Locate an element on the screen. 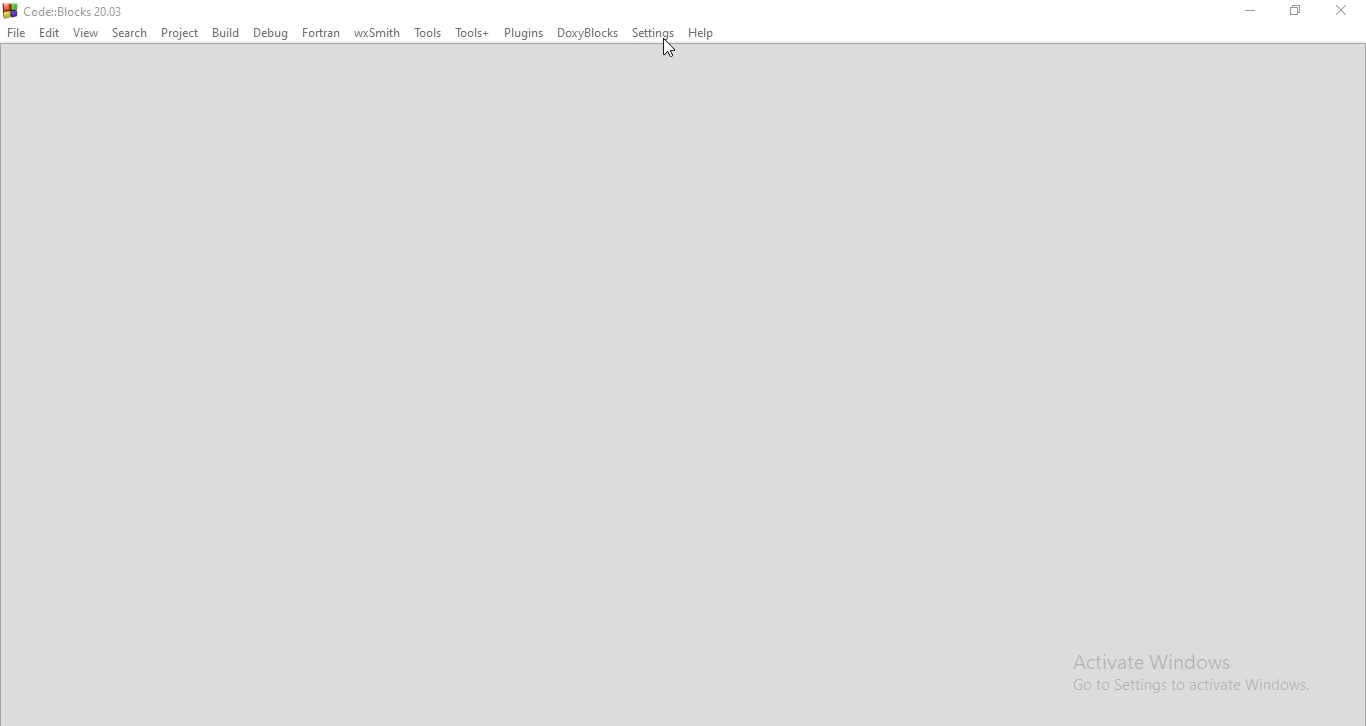 Image resolution: width=1366 pixels, height=726 pixels. Cursor is located at coordinates (668, 49).